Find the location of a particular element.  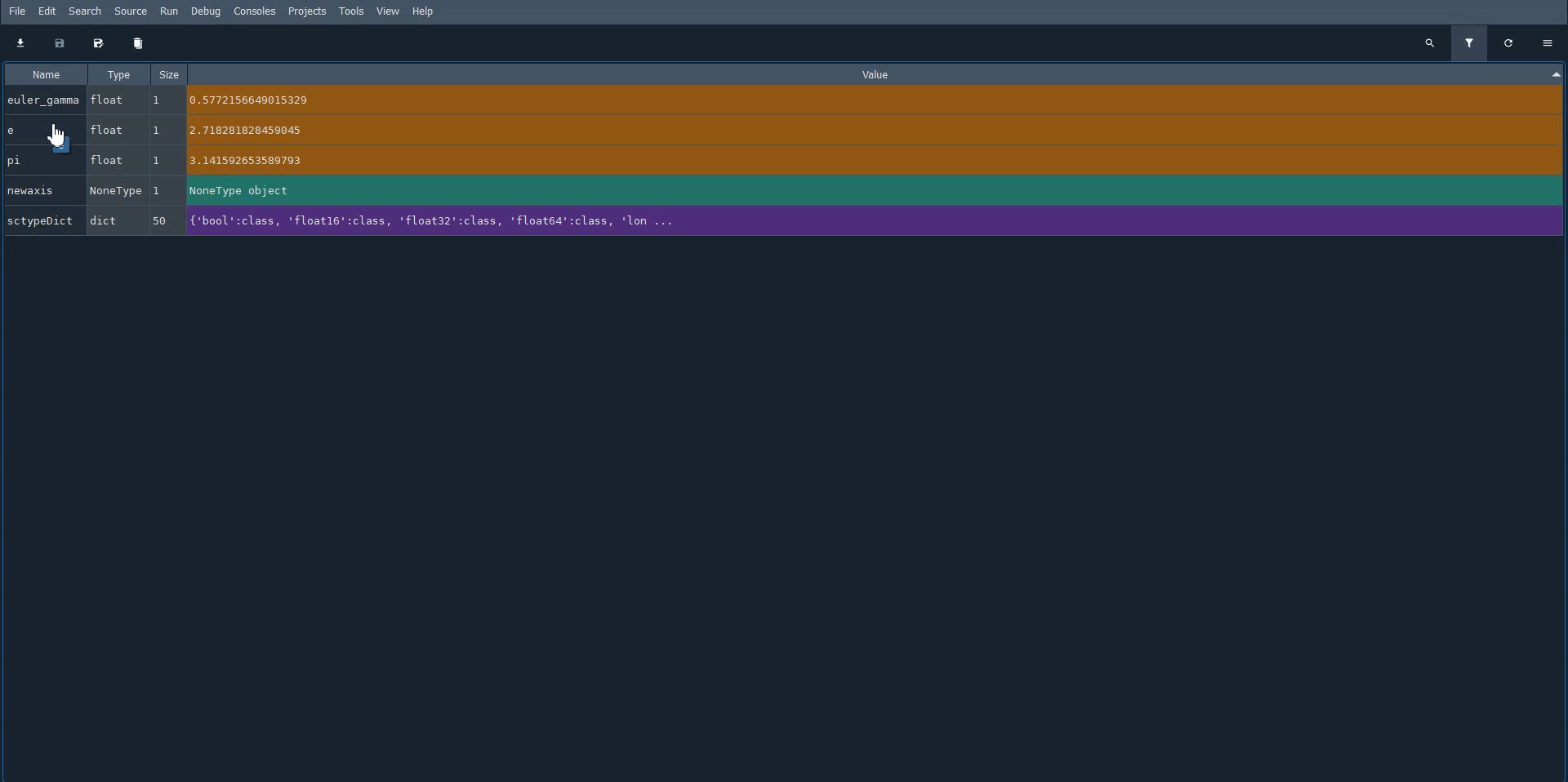

Type is located at coordinates (119, 74).